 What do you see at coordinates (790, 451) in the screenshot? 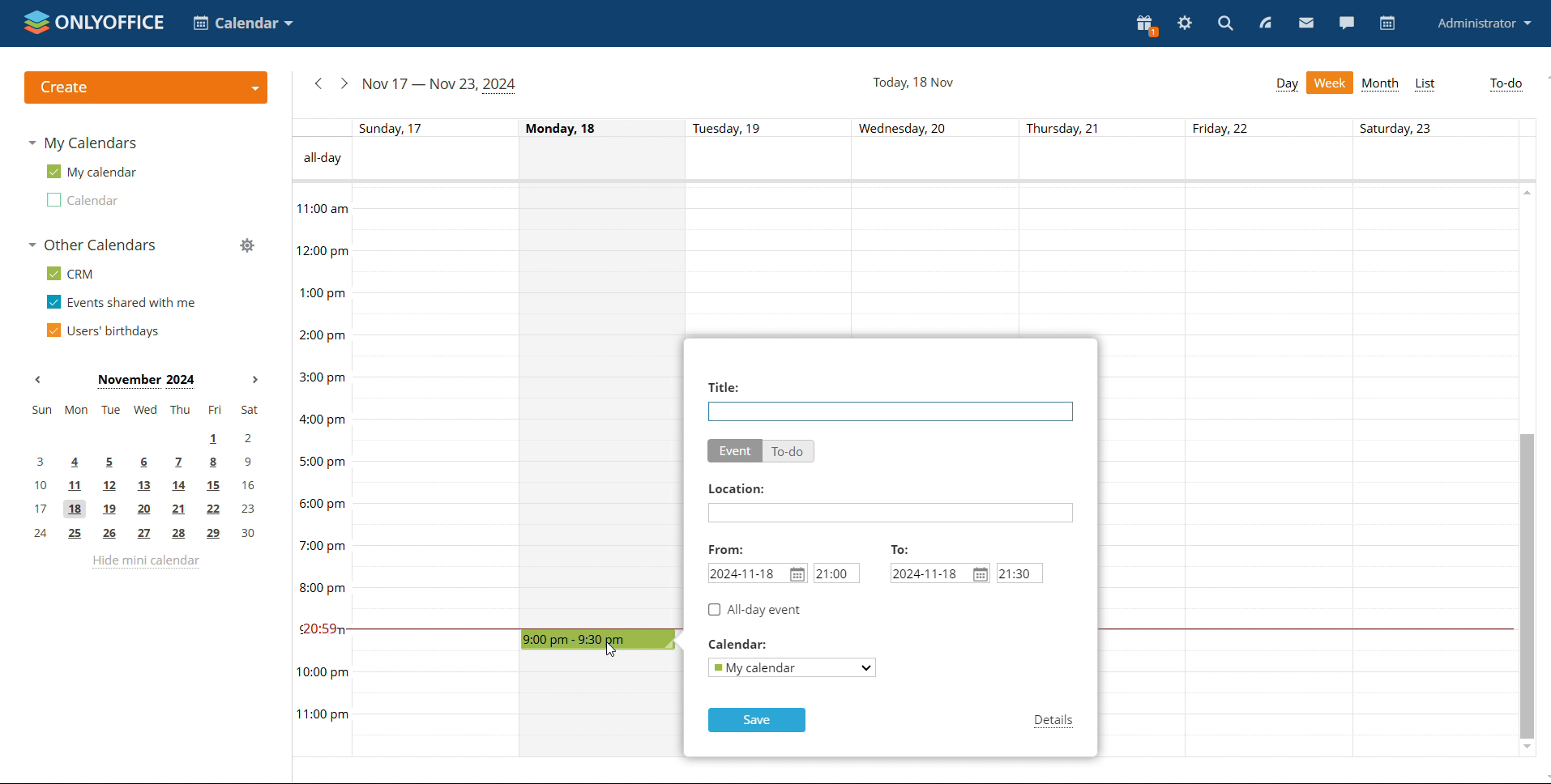
I see `to-do` at bounding box center [790, 451].